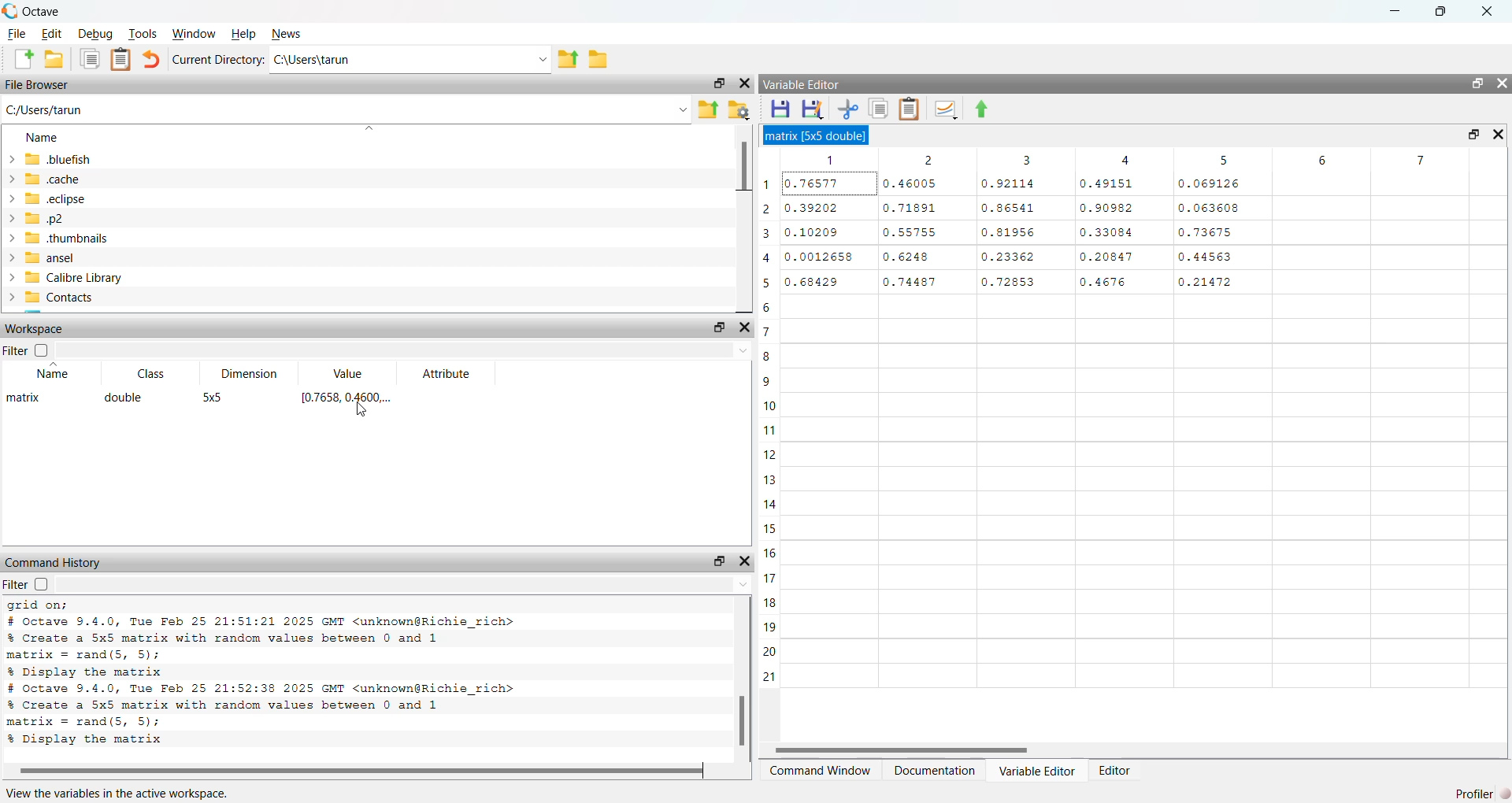 Image resolution: width=1512 pixels, height=803 pixels. I want to click on save, so click(54, 58).